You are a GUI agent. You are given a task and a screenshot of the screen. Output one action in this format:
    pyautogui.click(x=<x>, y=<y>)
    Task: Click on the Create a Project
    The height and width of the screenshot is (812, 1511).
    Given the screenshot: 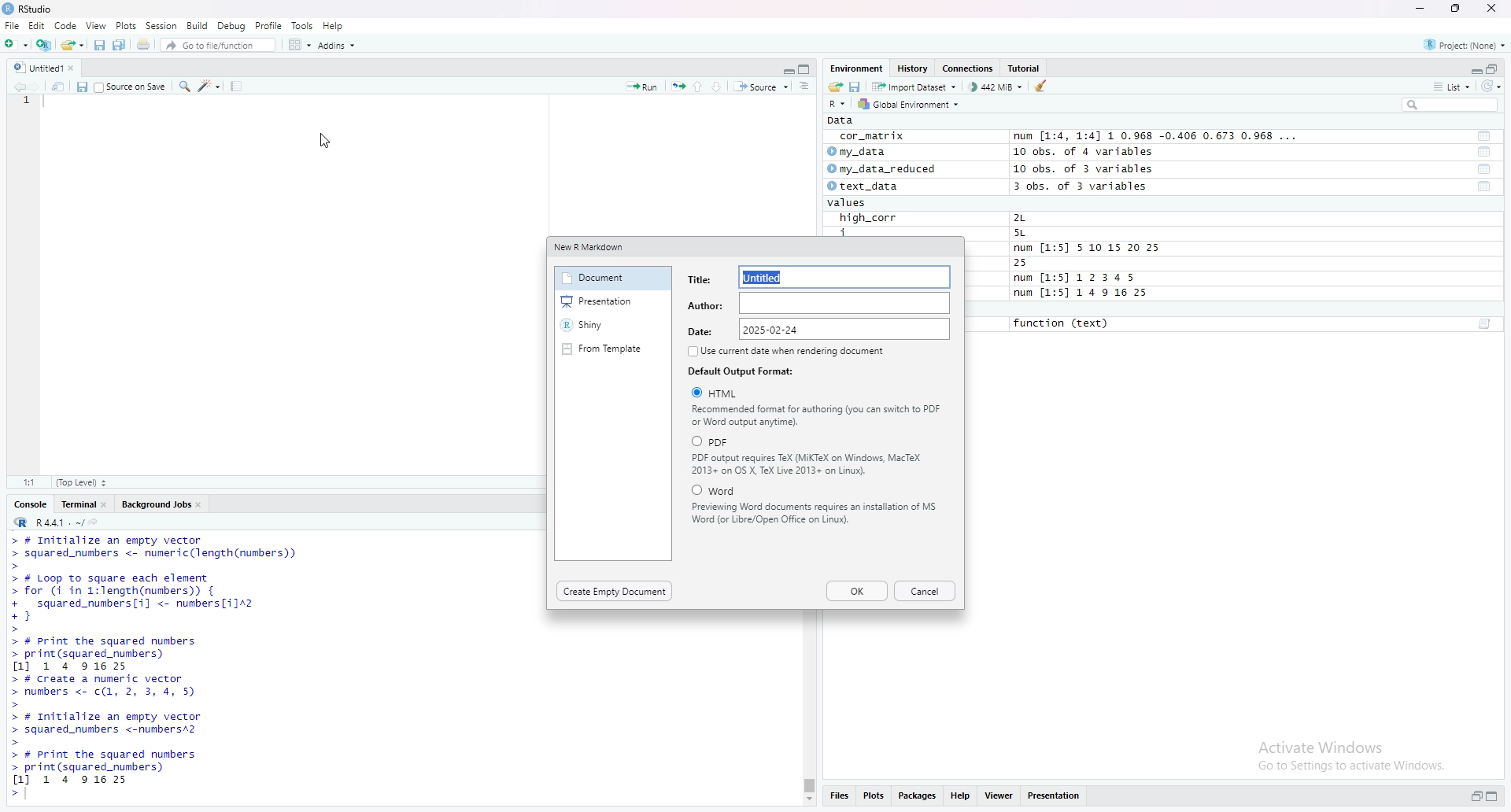 What is the action you would take?
    pyautogui.click(x=42, y=45)
    